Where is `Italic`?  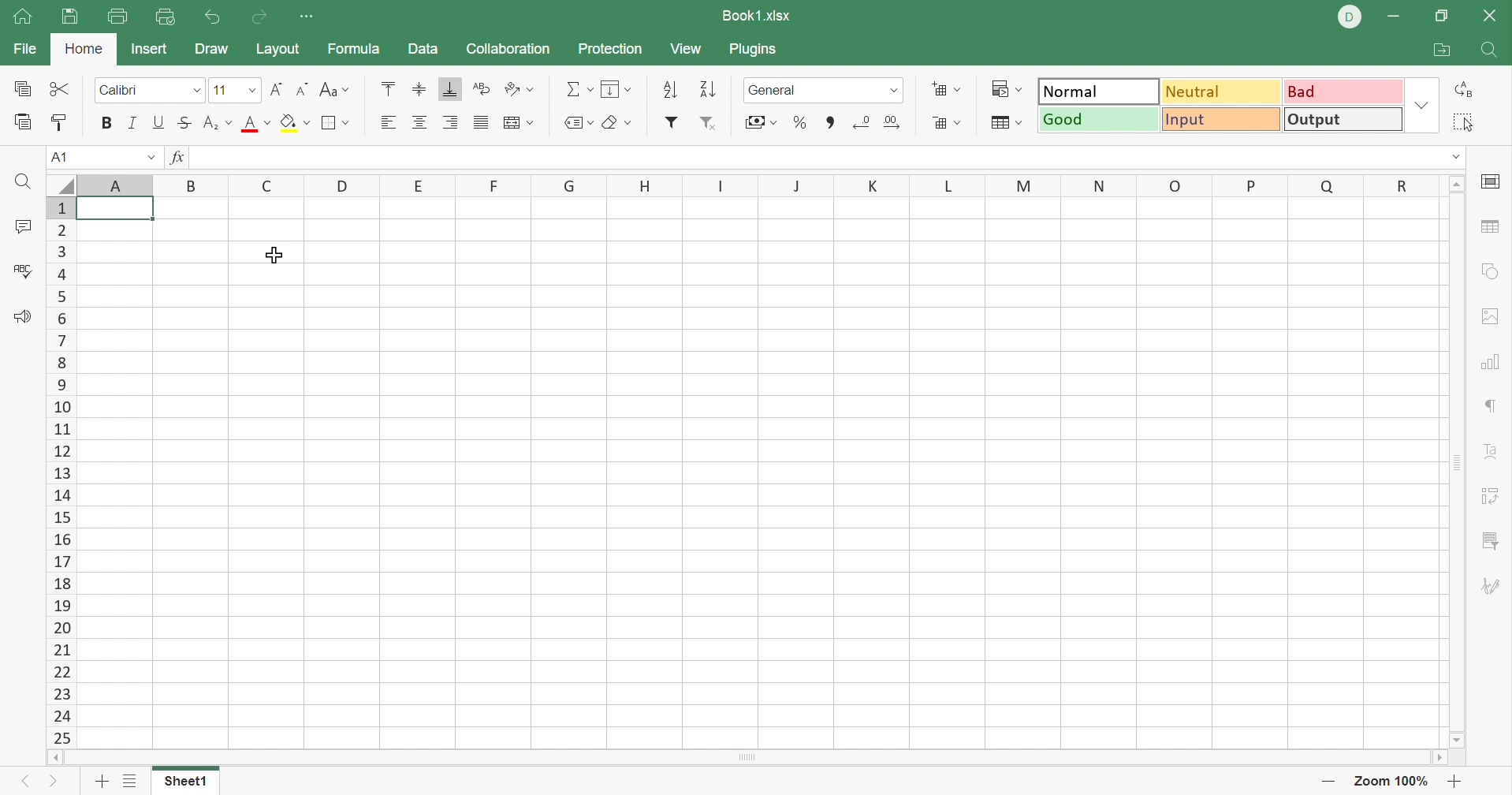
Italic is located at coordinates (132, 121).